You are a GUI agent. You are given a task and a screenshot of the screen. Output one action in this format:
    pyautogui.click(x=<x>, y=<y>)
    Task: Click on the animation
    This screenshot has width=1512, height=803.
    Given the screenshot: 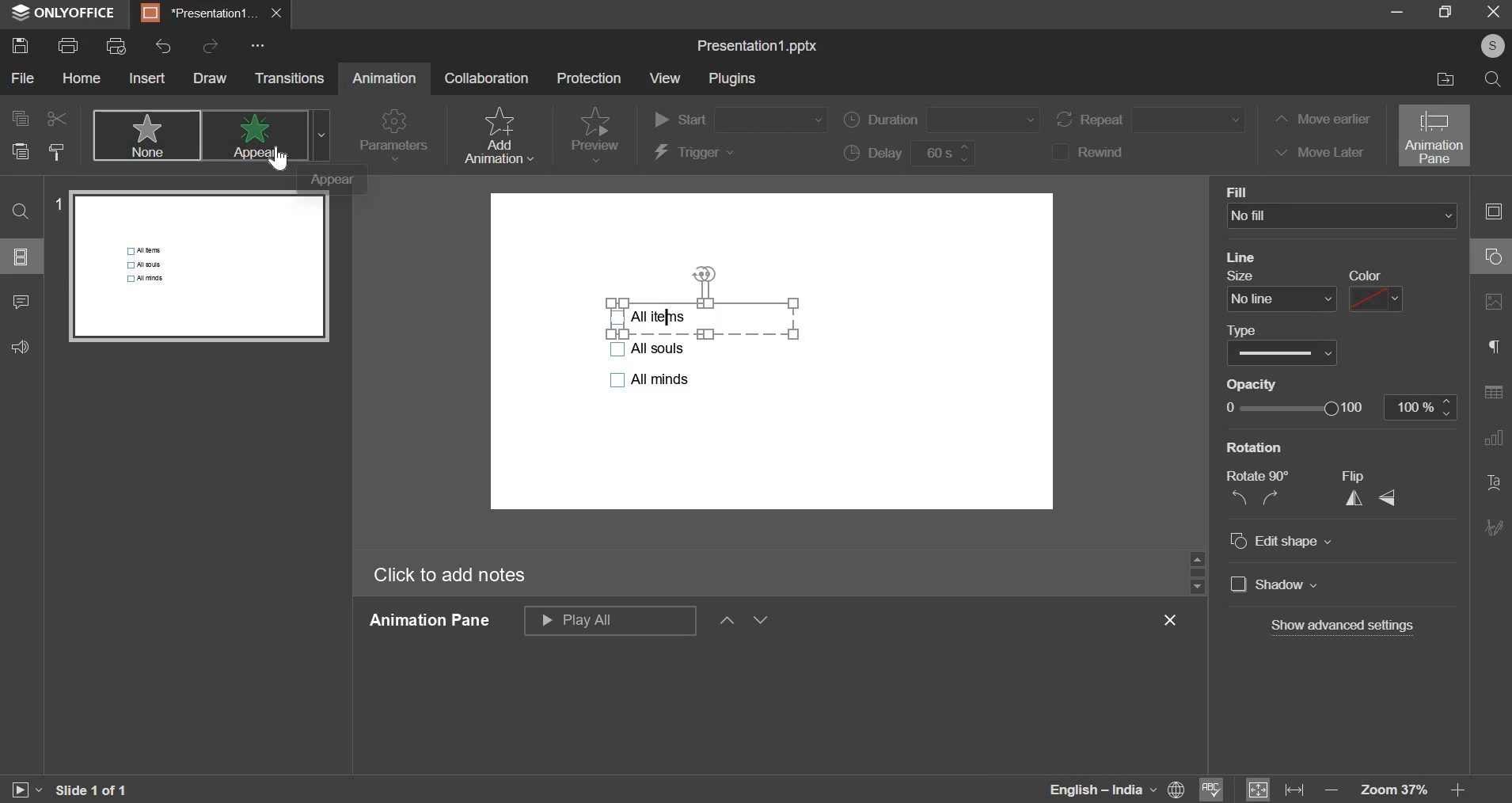 What is the action you would take?
    pyautogui.click(x=384, y=78)
    